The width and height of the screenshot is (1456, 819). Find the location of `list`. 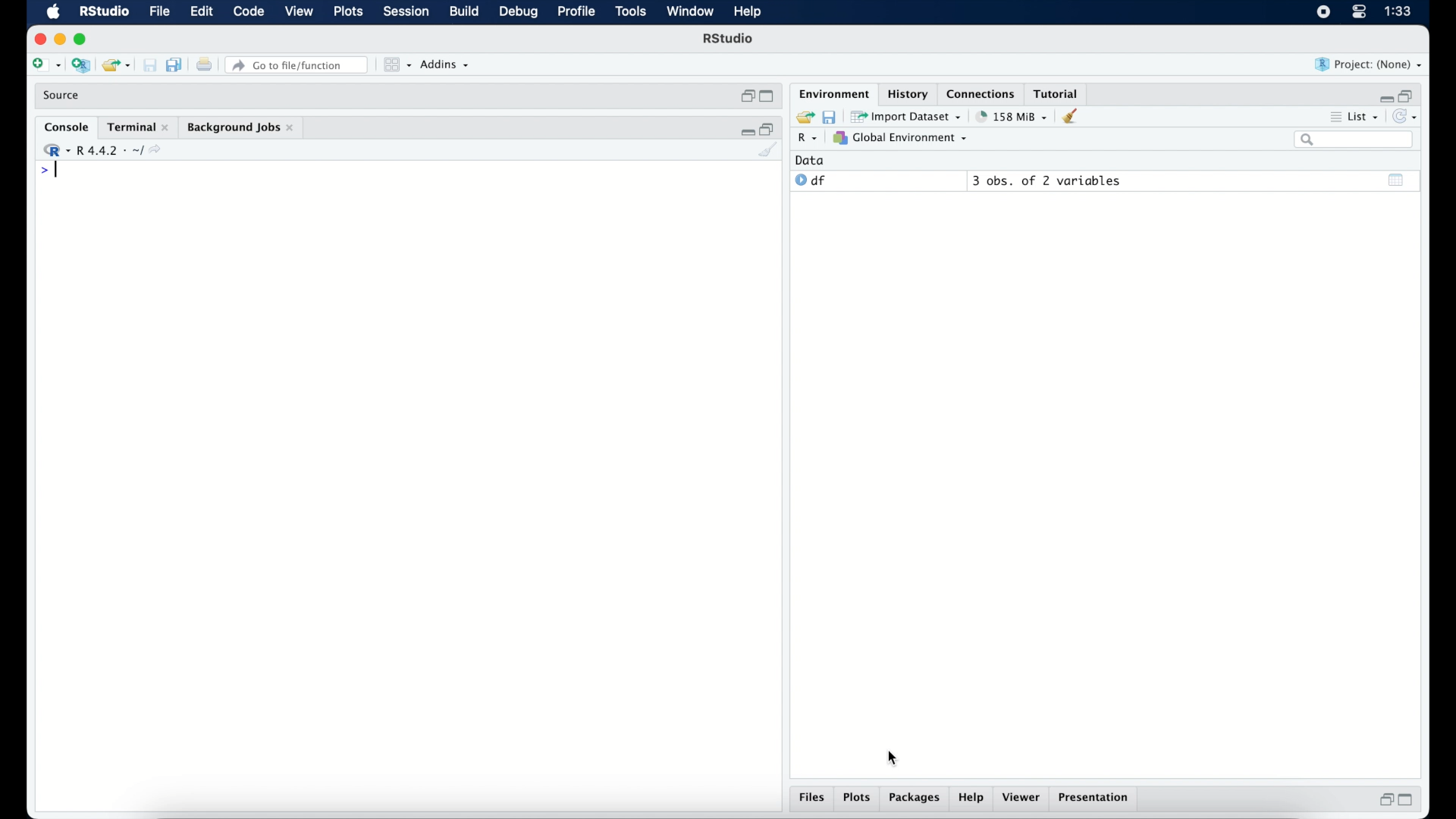

list is located at coordinates (1359, 117).